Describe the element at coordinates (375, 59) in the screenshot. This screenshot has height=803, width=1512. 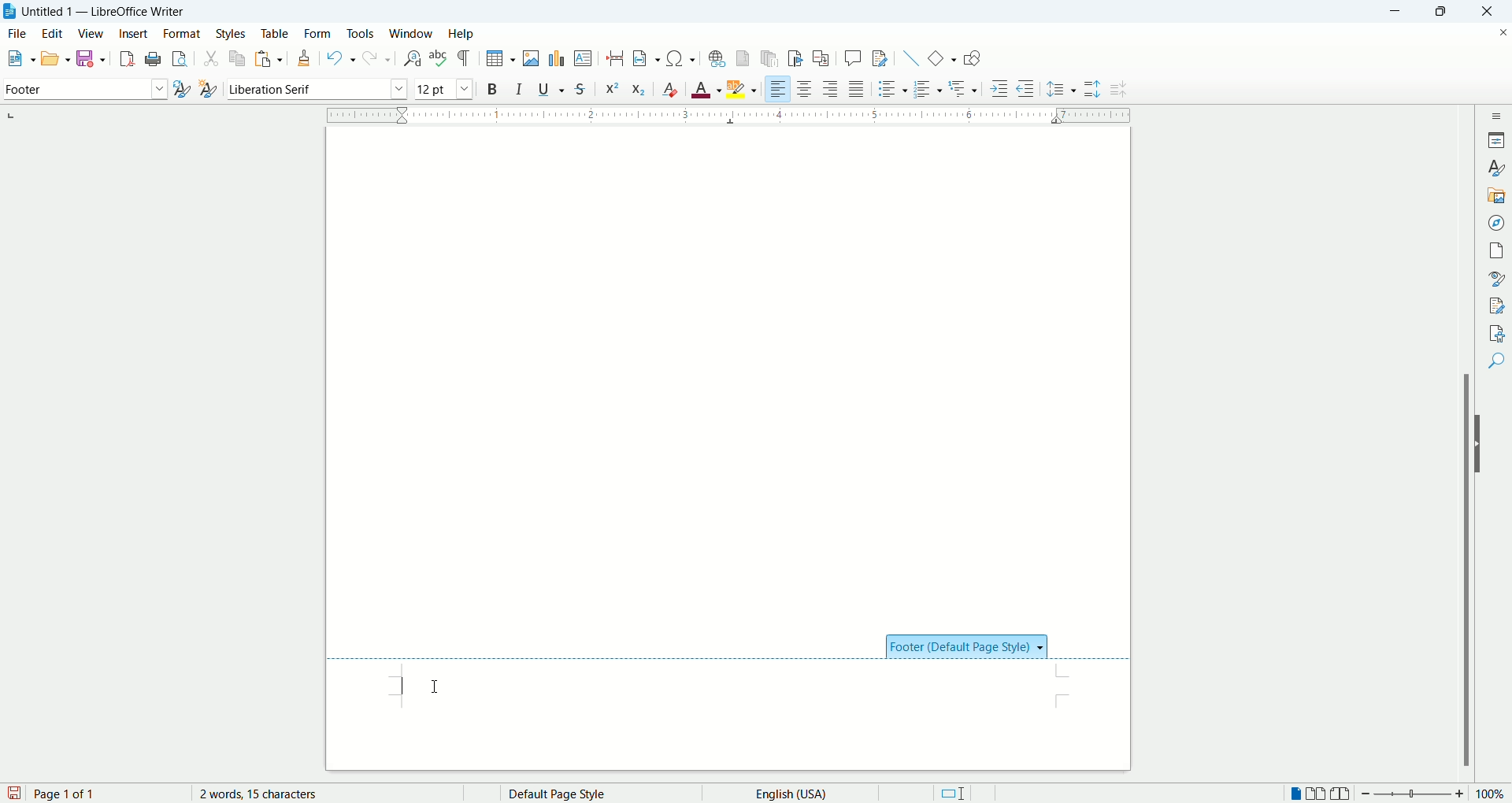
I see `redo` at that location.